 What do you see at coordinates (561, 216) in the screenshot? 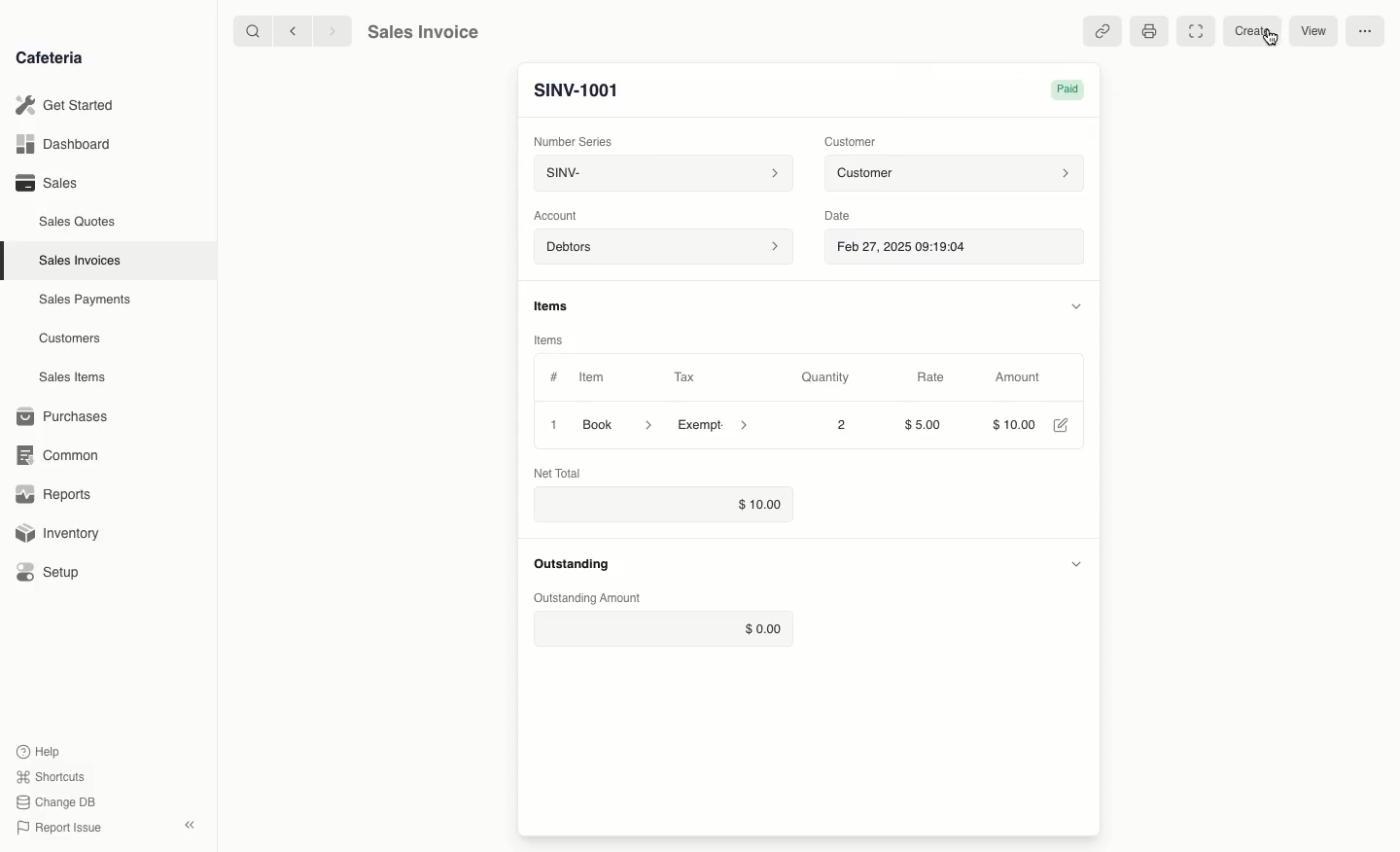
I see `Account` at bounding box center [561, 216].